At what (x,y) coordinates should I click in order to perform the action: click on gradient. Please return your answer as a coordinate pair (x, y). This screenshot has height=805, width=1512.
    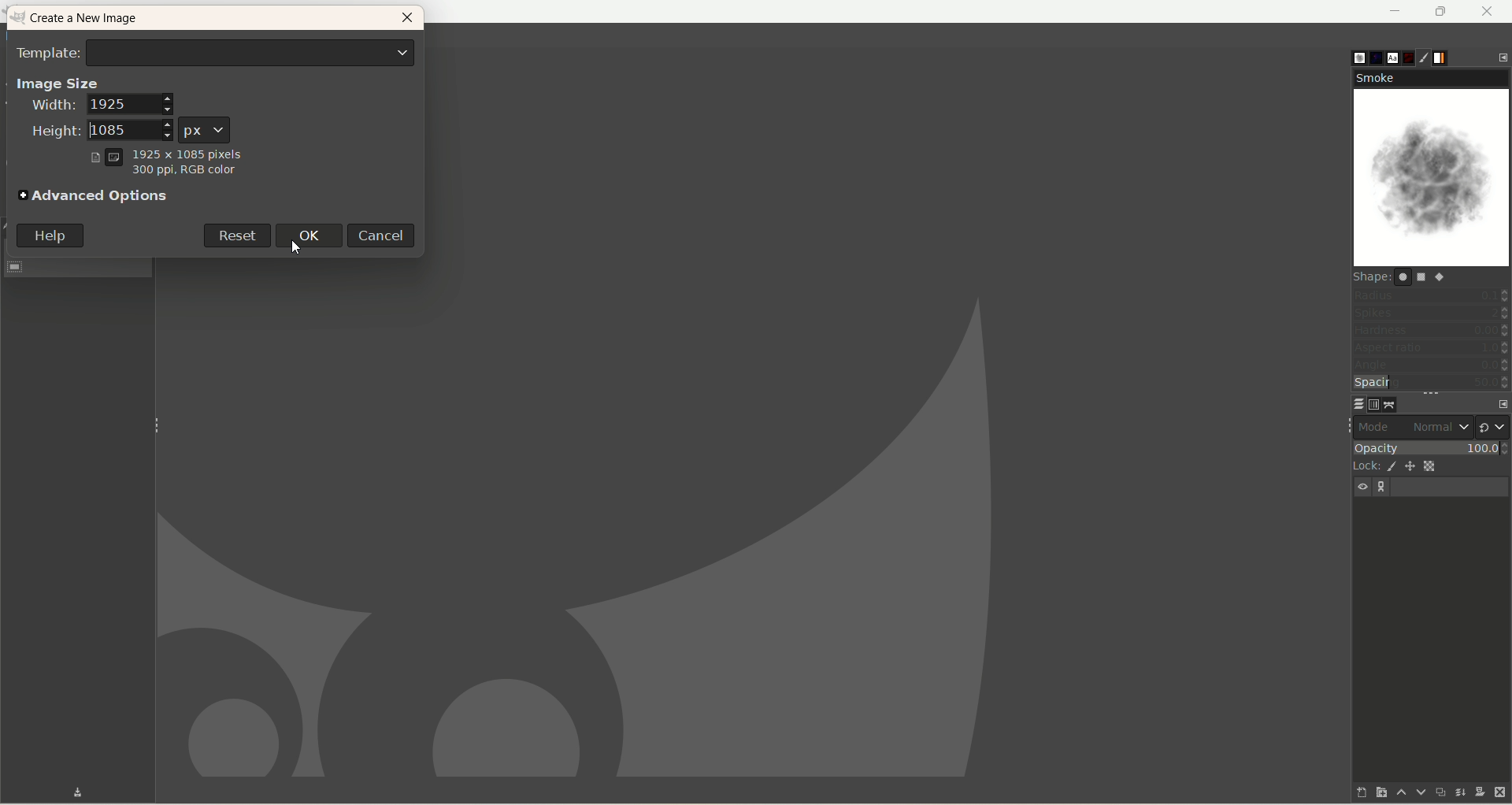
    Looking at the image, I should click on (1451, 56).